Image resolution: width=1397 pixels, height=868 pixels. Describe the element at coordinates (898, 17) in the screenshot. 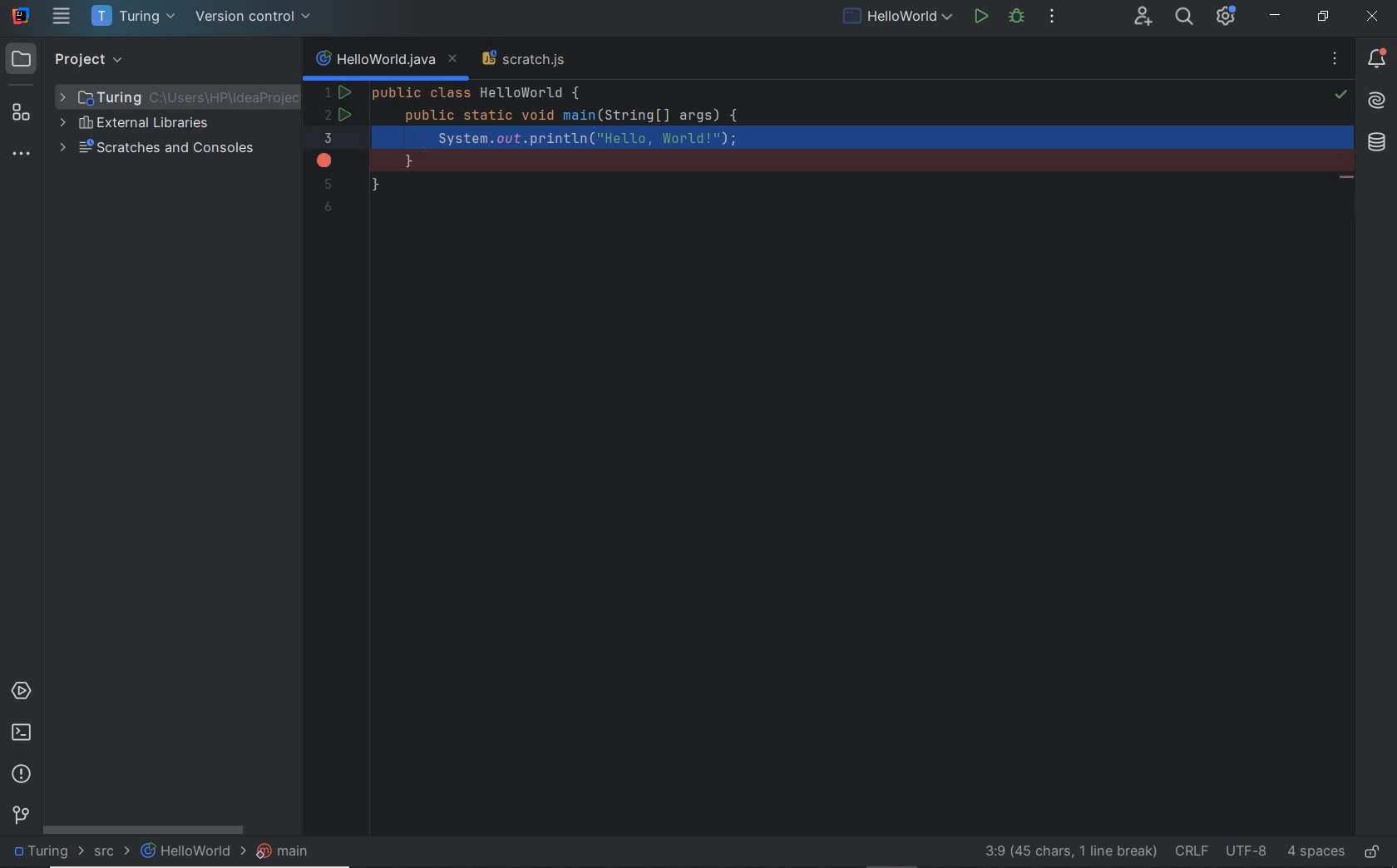

I see `run/debug configurations` at that location.